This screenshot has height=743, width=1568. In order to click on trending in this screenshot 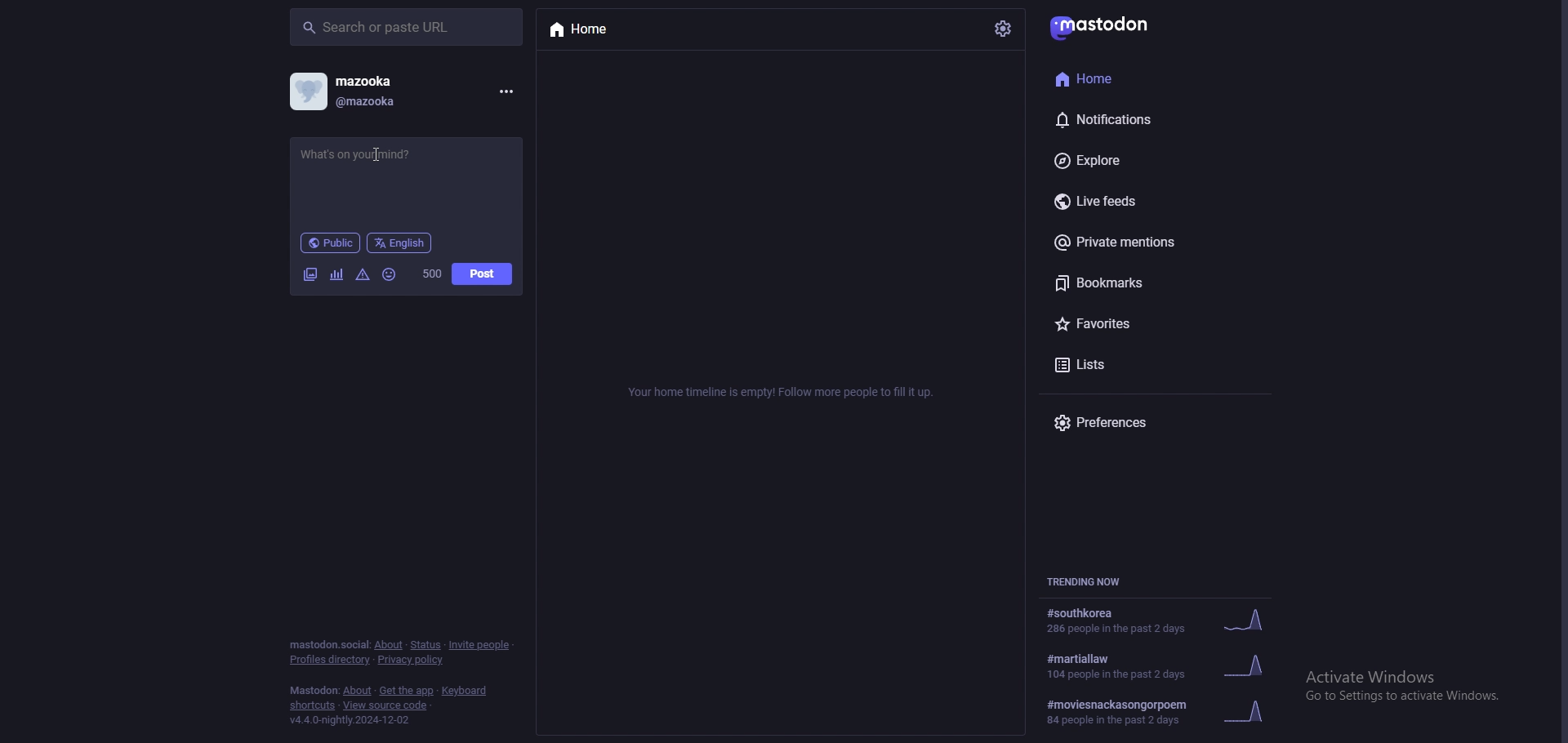, I will do `click(1161, 665)`.